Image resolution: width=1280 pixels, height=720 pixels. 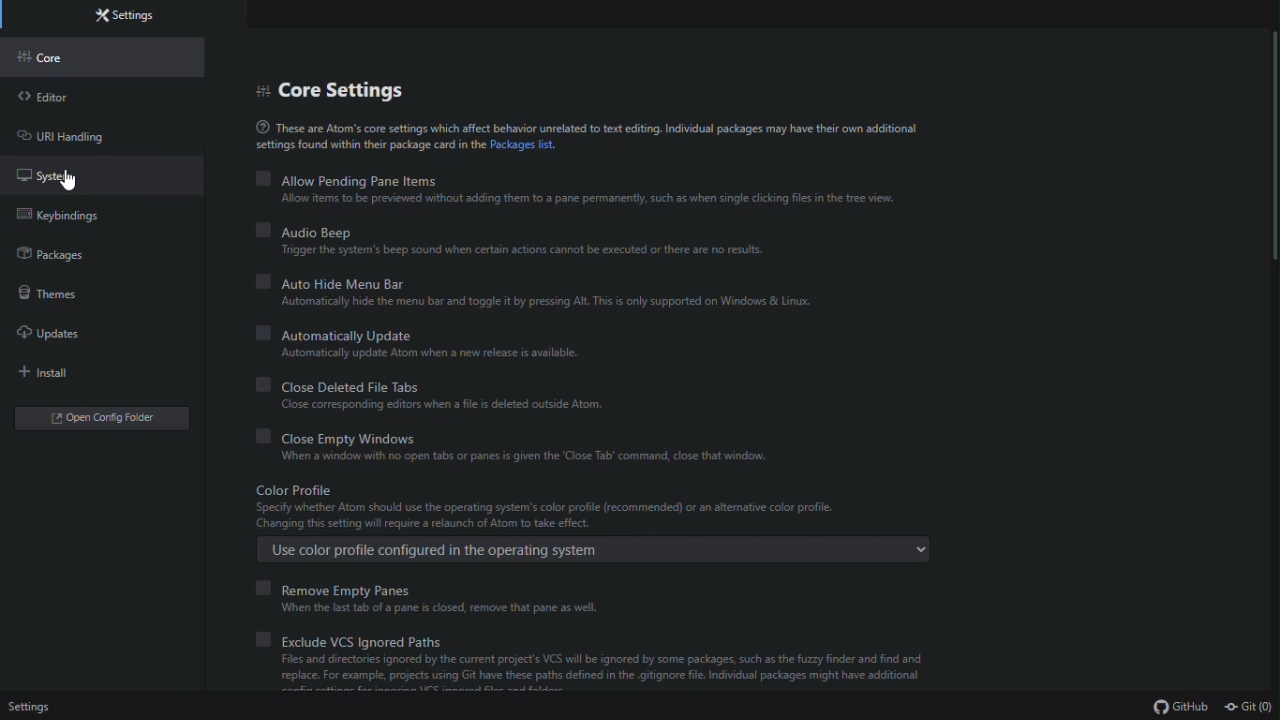 What do you see at coordinates (617, 641) in the screenshot?
I see `Exclude VCS Ignored Paths
Files and directories ignored by the current project's VCS wil be ignored by some packages, such as the fuzzy finder and find and.
replace. For example. projects using Git have these paths defined in the gtignore fle. Indicual packages might have additional` at bounding box center [617, 641].